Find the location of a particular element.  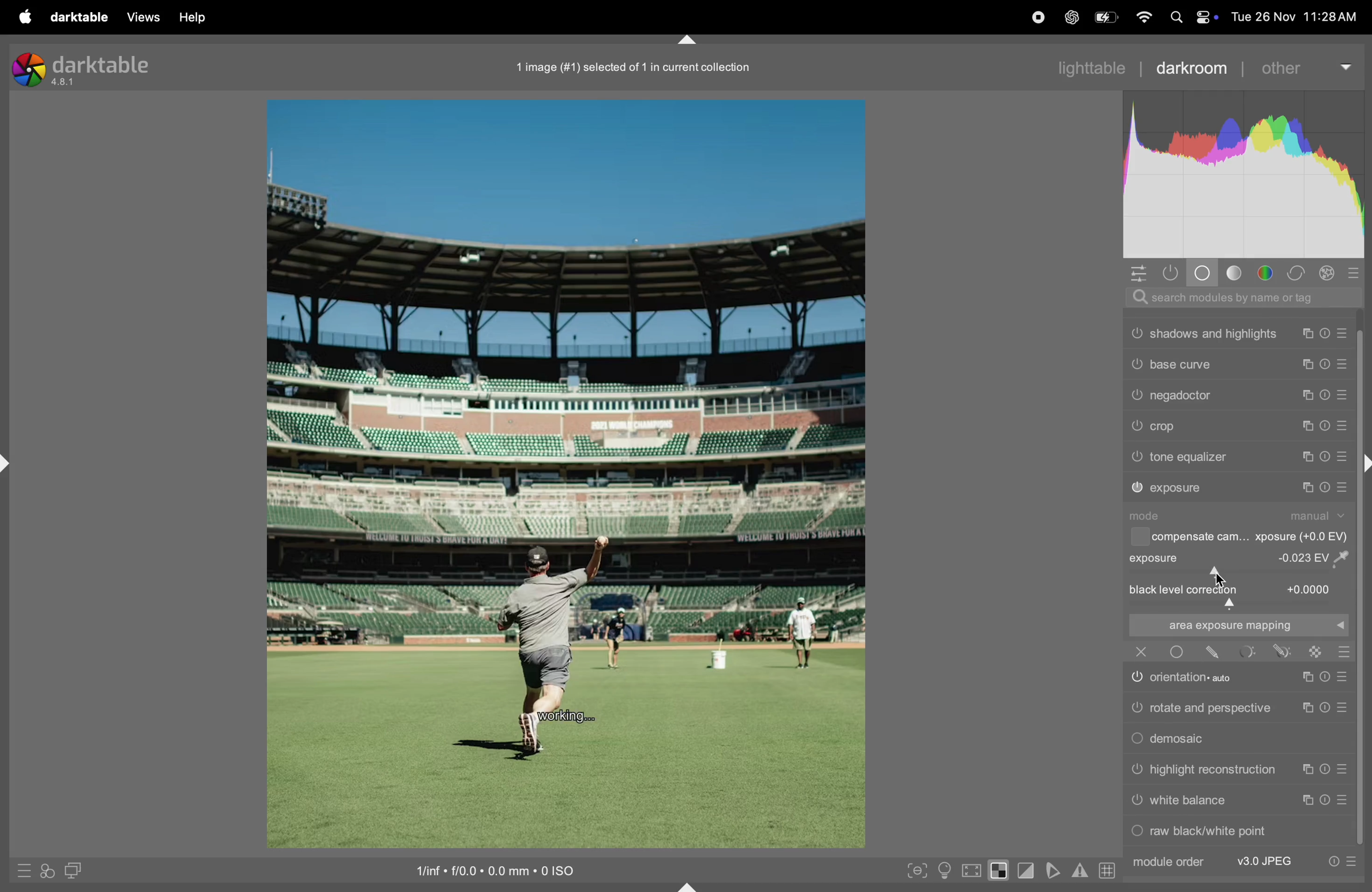

Switch on or off is located at coordinates (1136, 709).